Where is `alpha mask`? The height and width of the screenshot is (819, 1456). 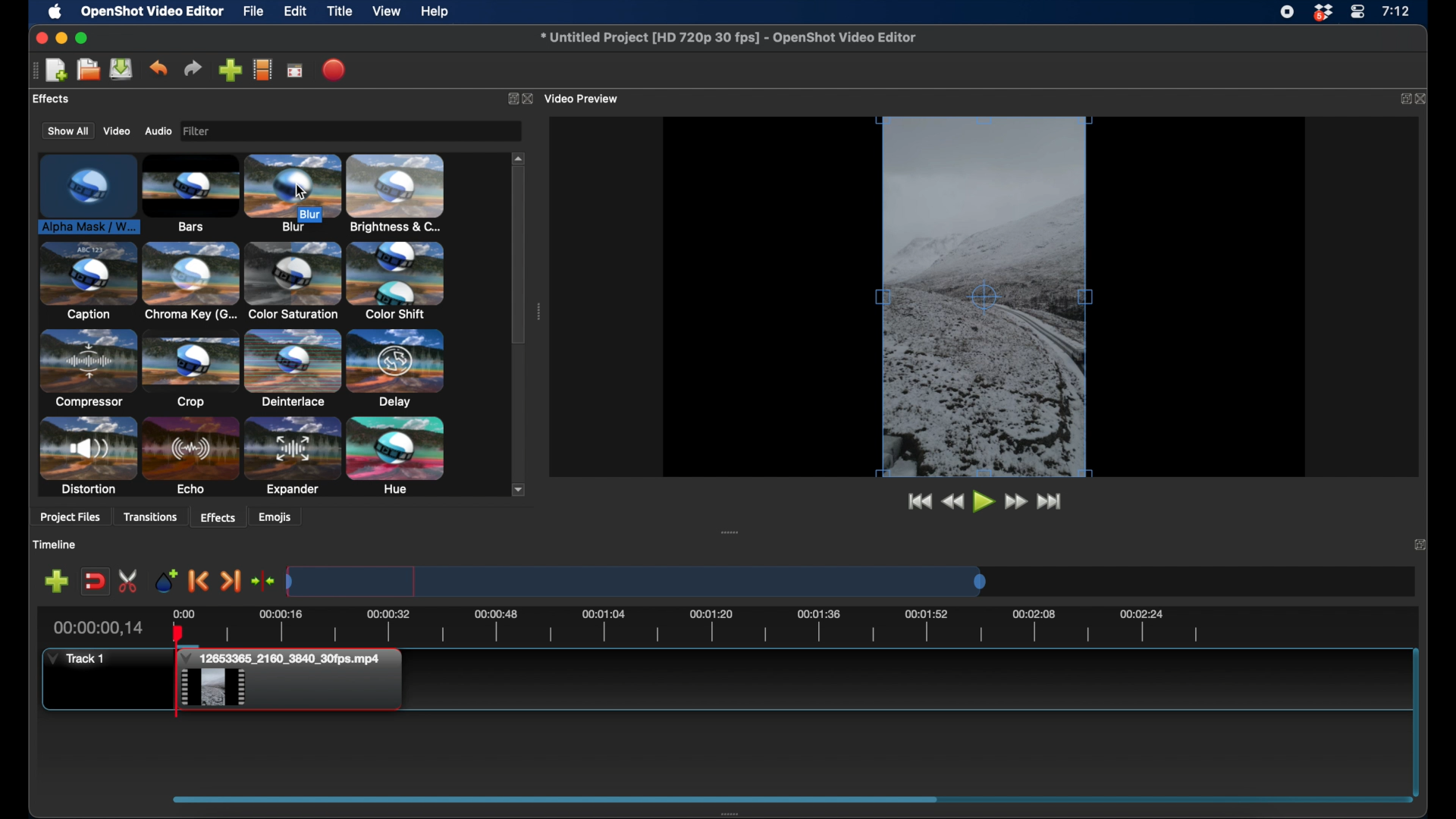
alpha mask is located at coordinates (86, 196).